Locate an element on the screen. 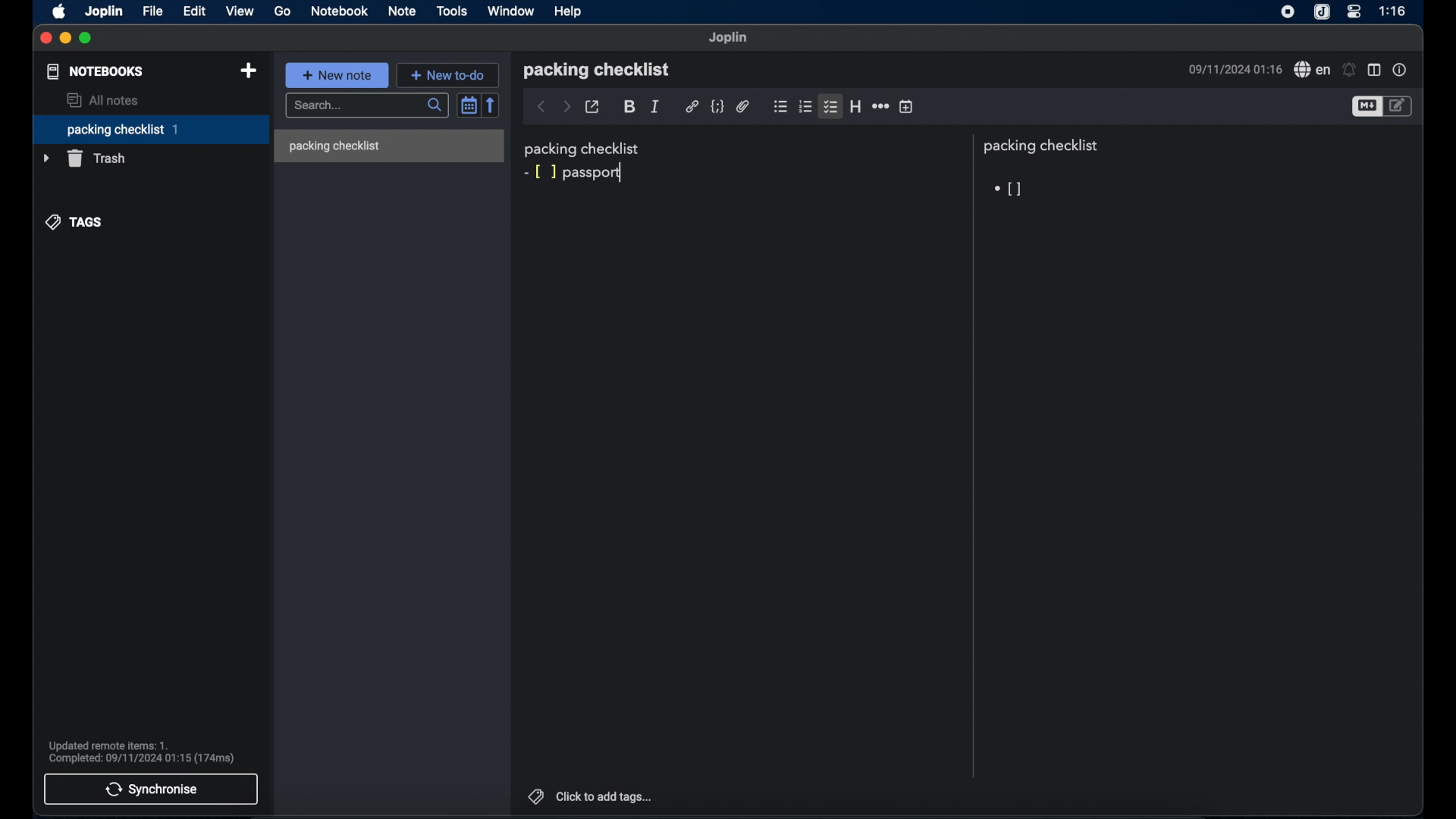 Image resolution: width=1456 pixels, height=819 pixels. all notes is located at coordinates (105, 100).